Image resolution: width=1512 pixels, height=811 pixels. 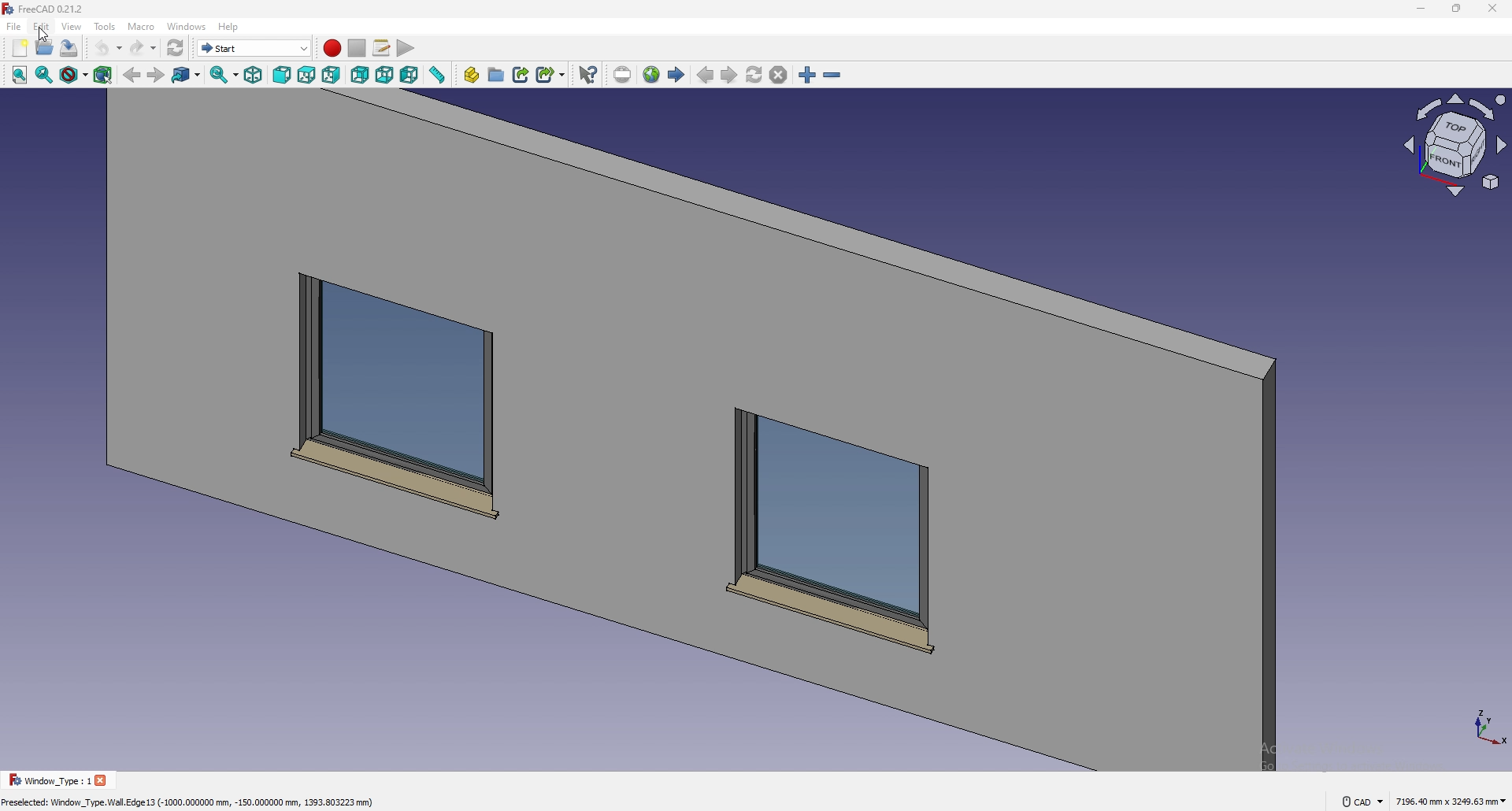 I want to click on refresh web page, so click(x=755, y=75).